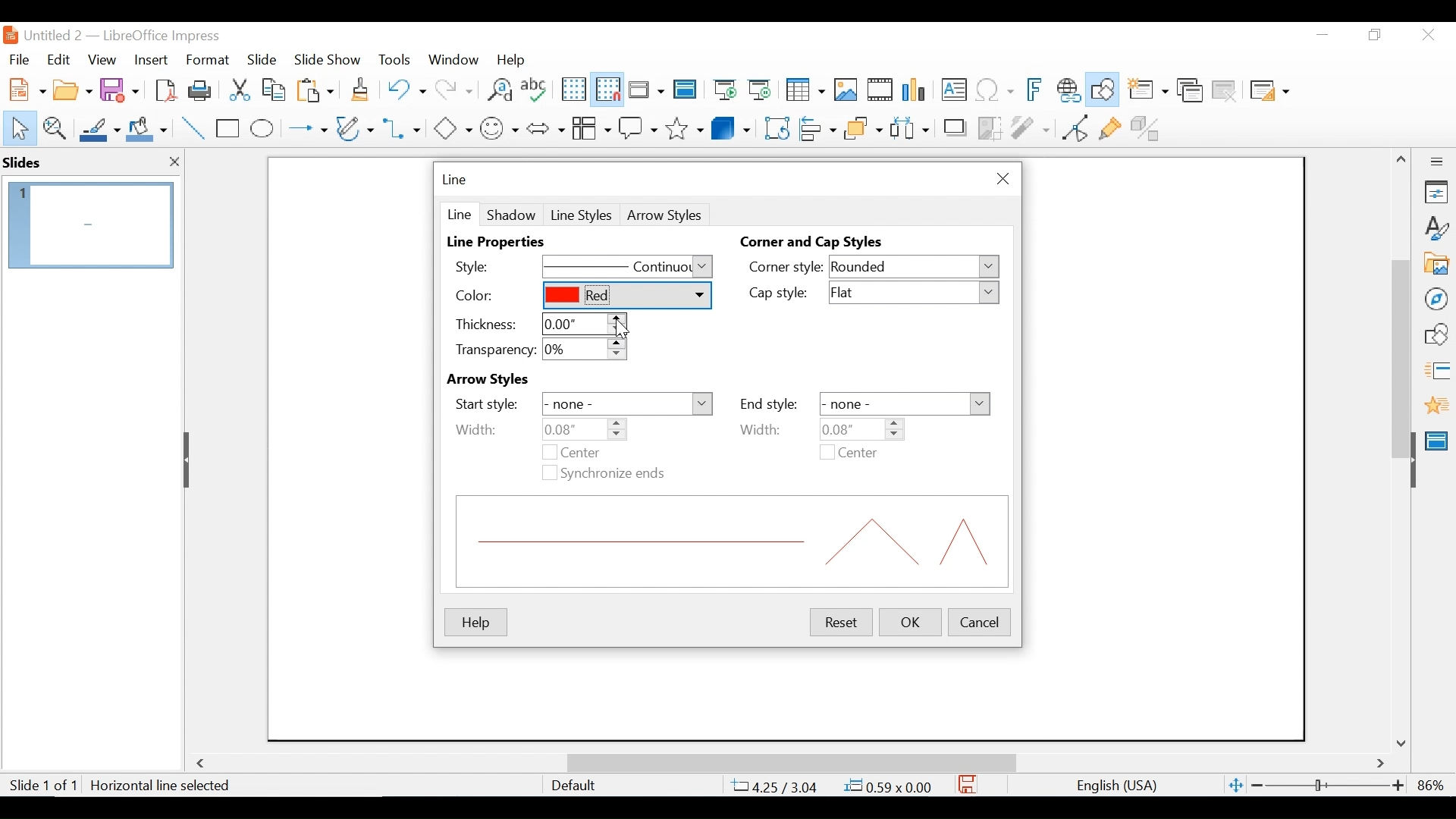  What do you see at coordinates (968, 784) in the screenshot?
I see `Save` at bounding box center [968, 784].